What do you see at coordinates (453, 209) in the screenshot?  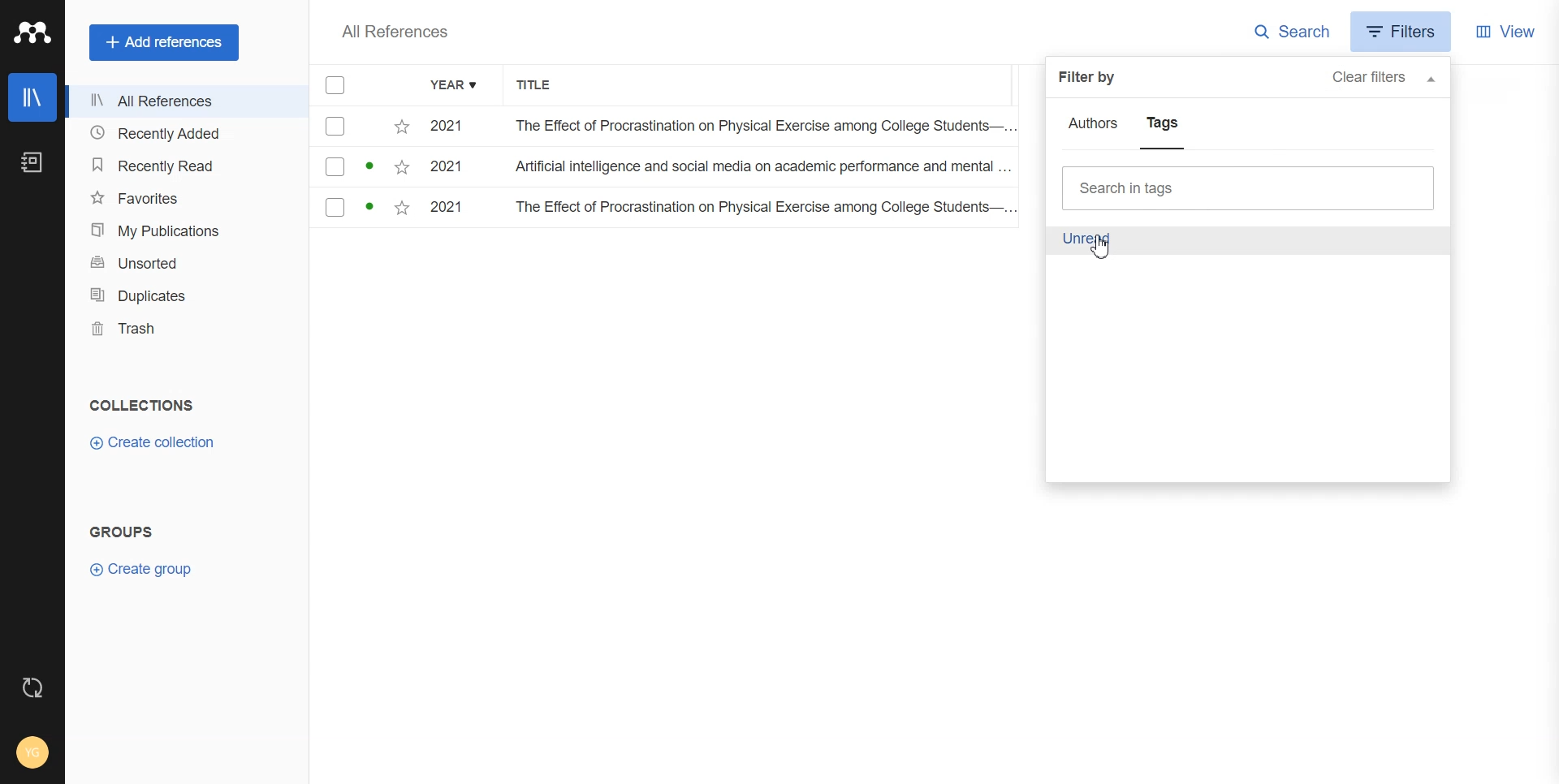 I see `2021` at bounding box center [453, 209].